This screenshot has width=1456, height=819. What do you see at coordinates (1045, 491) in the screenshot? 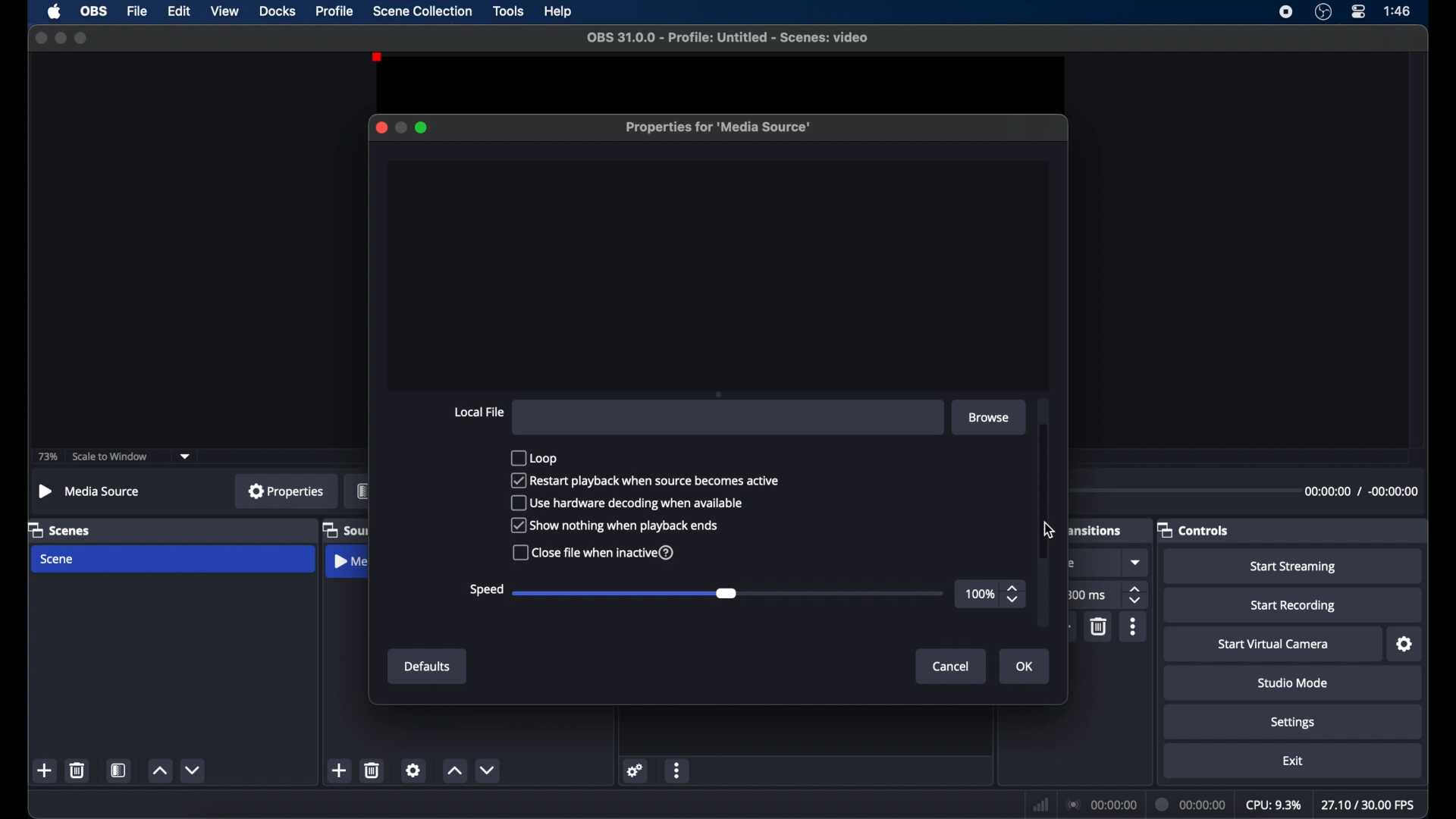
I see `scroll box` at bounding box center [1045, 491].